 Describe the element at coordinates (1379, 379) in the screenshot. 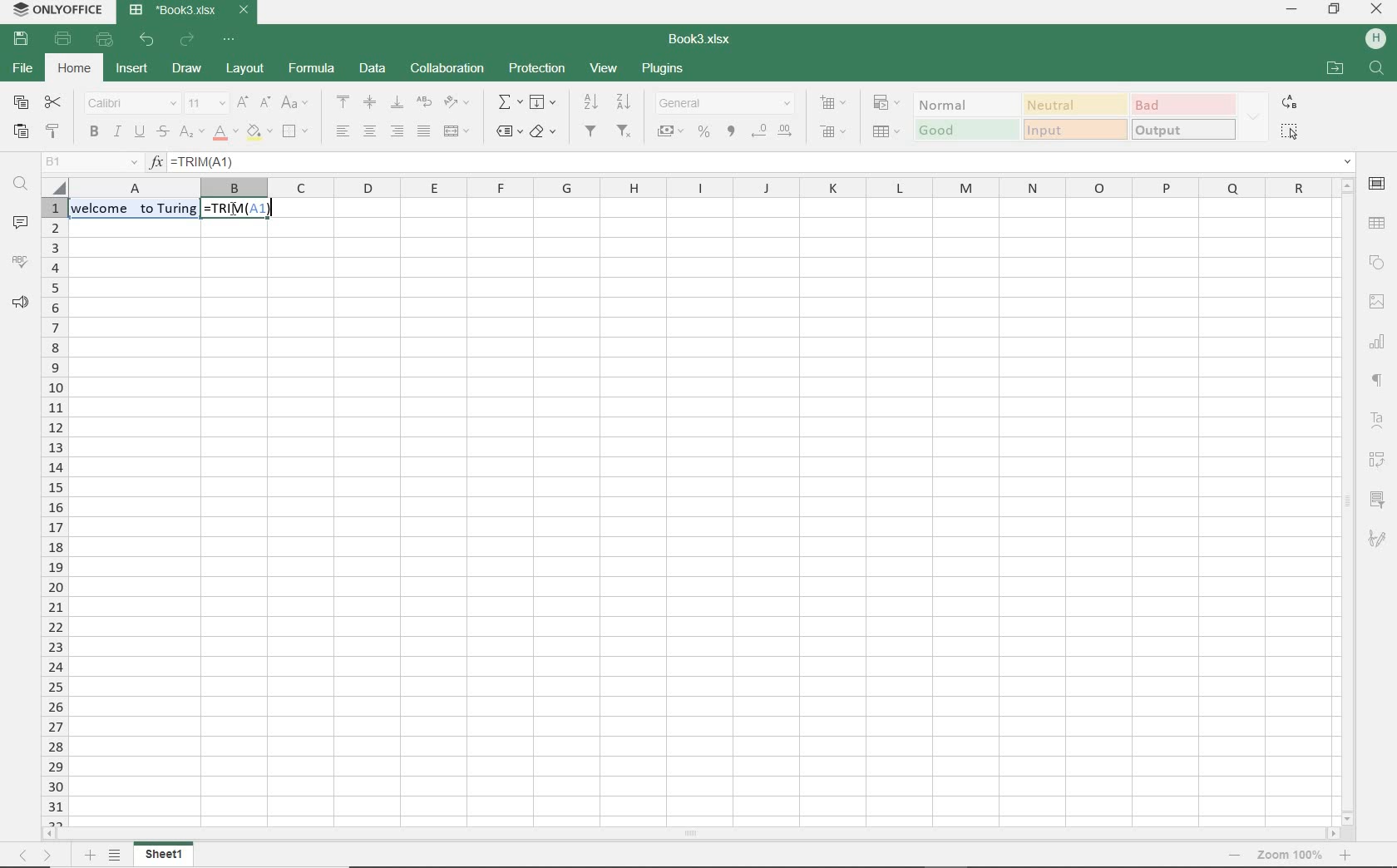

I see `paragraph settings` at that location.